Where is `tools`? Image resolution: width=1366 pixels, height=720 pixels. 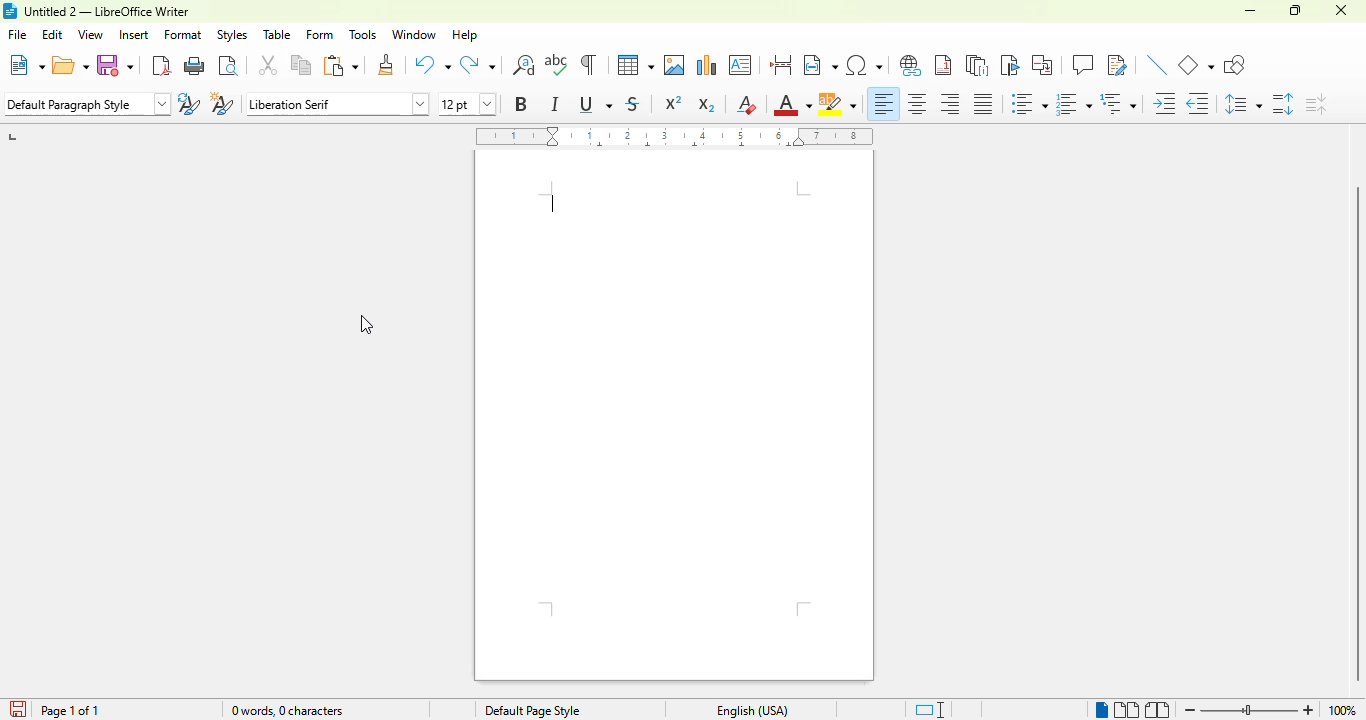 tools is located at coordinates (363, 34).